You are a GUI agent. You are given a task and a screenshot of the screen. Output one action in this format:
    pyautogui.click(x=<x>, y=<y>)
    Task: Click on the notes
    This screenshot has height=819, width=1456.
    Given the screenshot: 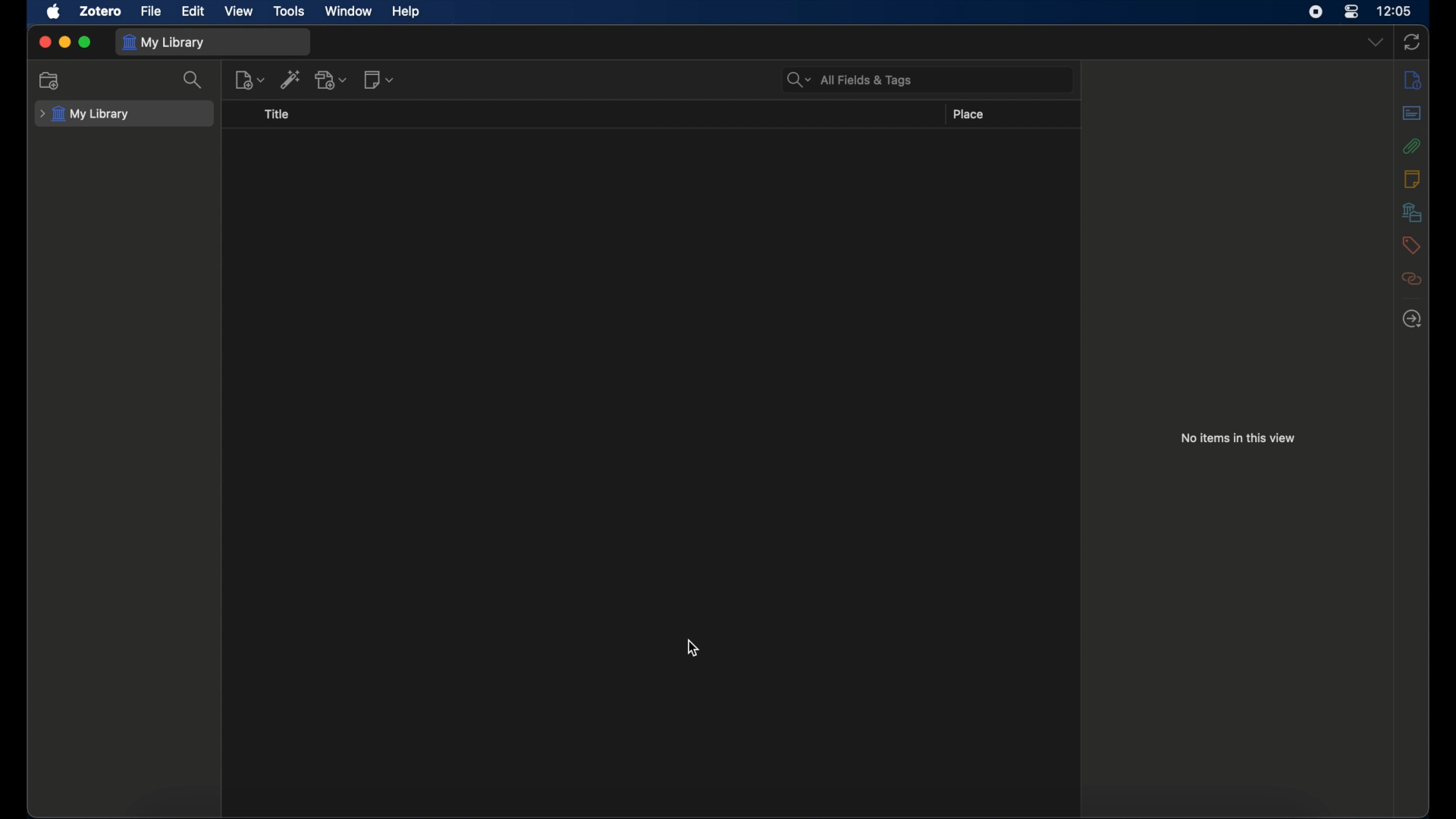 What is the action you would take?
    pyautogui.click(x=1412, y=177)
    